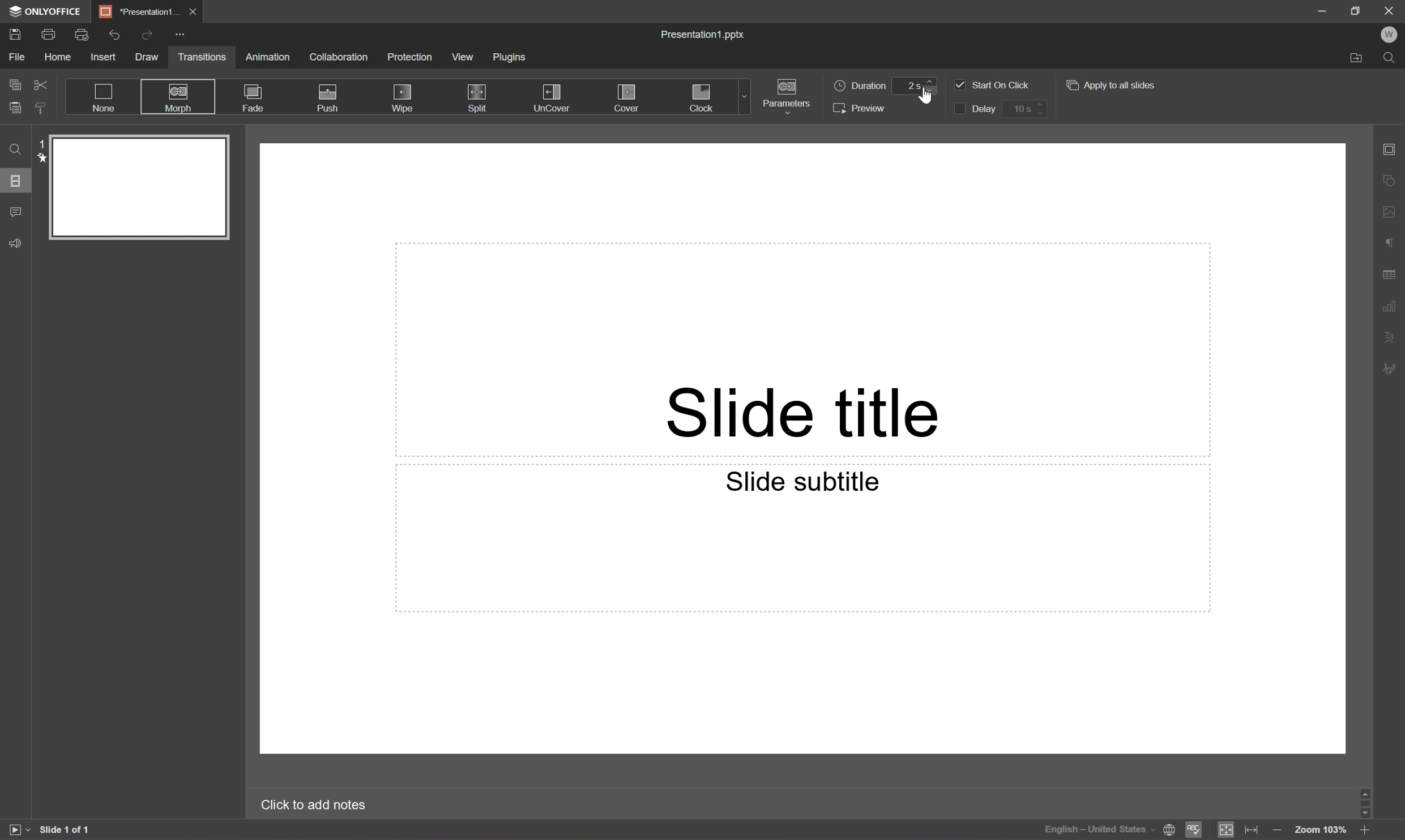  What do you see at coordinates (338, 57) in the screenshot?
I see `Collaboration` at bounding box center [338, 57].